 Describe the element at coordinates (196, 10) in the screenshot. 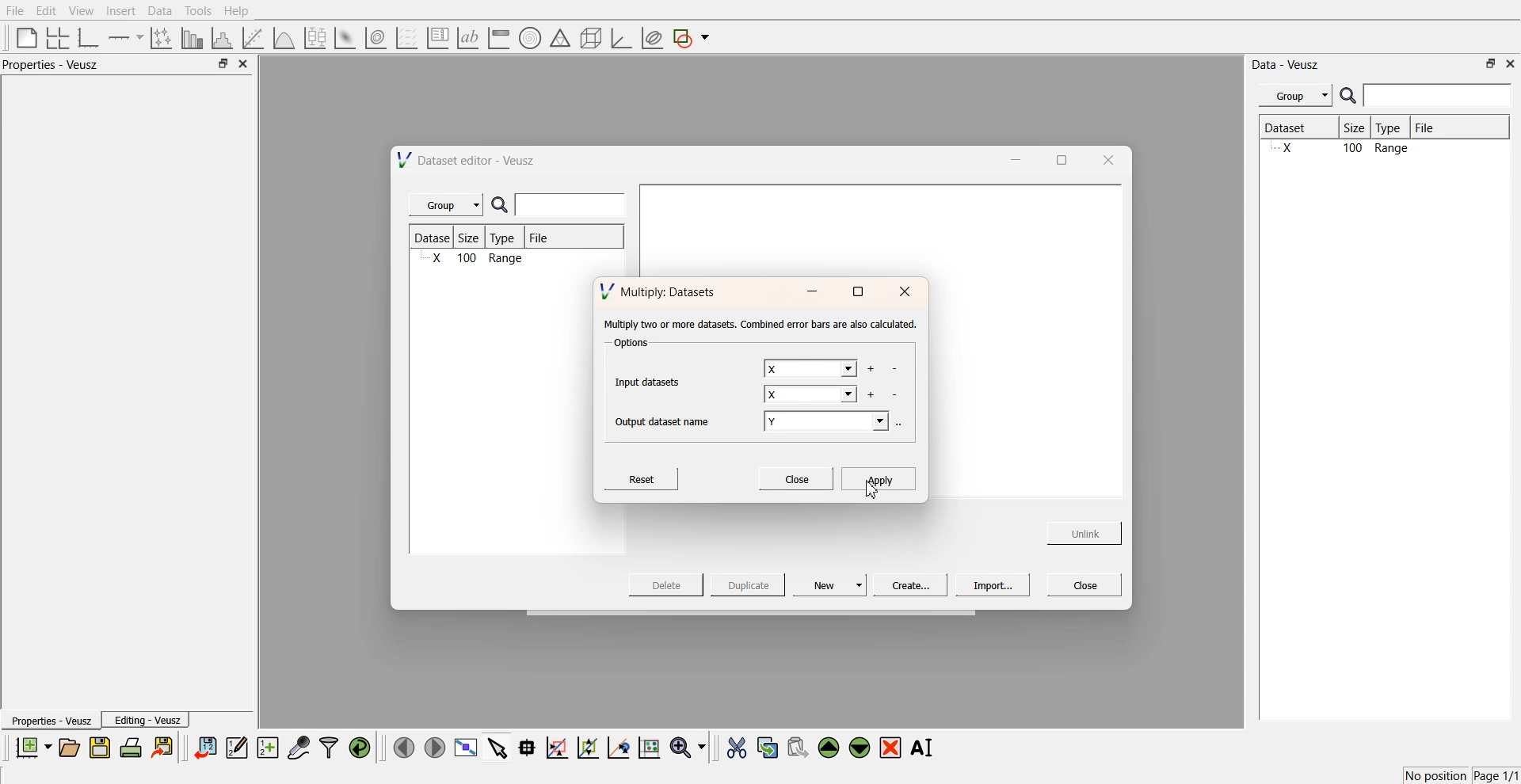

I see `Tools` at that location.